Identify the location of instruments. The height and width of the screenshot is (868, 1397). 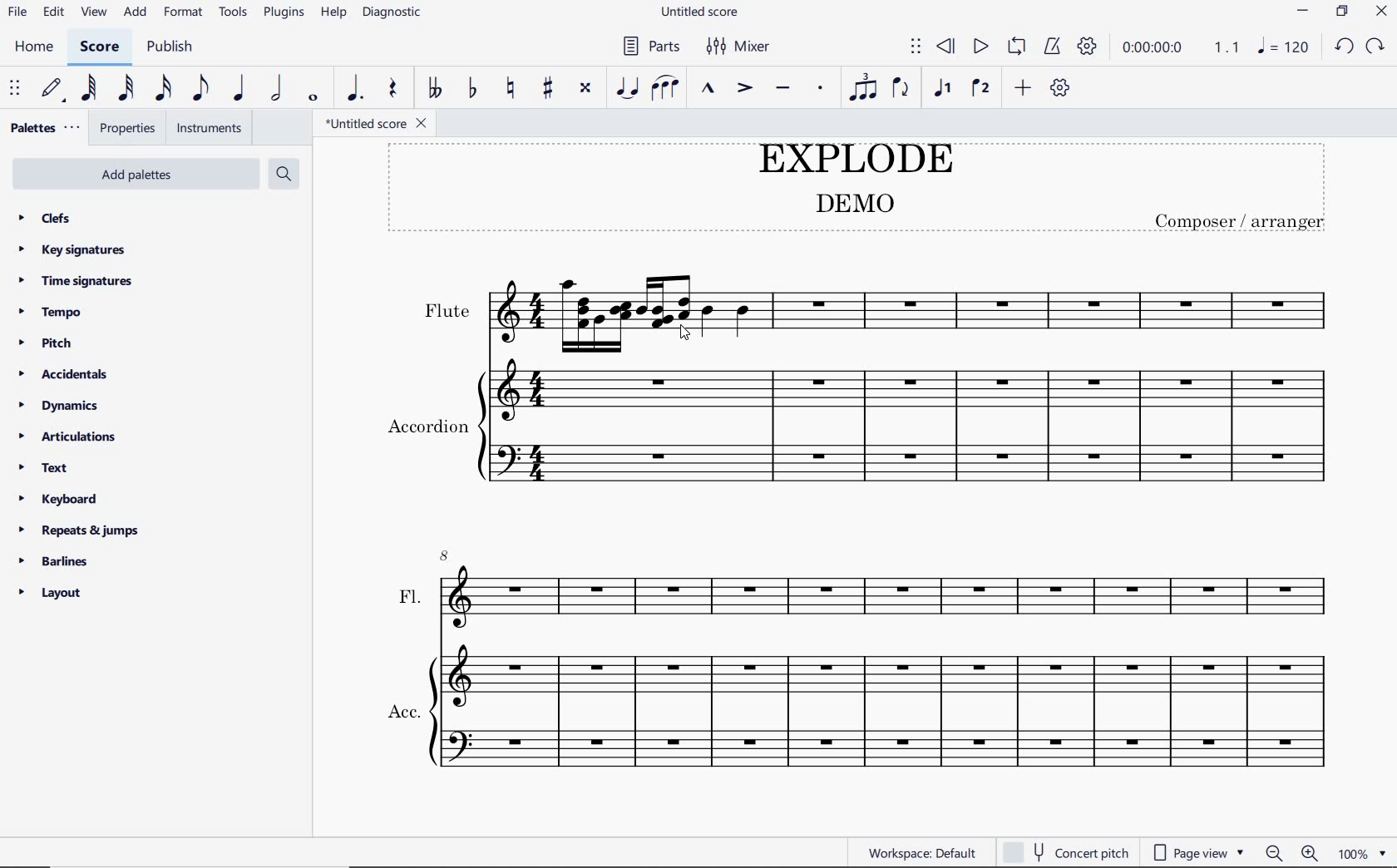
(209, 129).